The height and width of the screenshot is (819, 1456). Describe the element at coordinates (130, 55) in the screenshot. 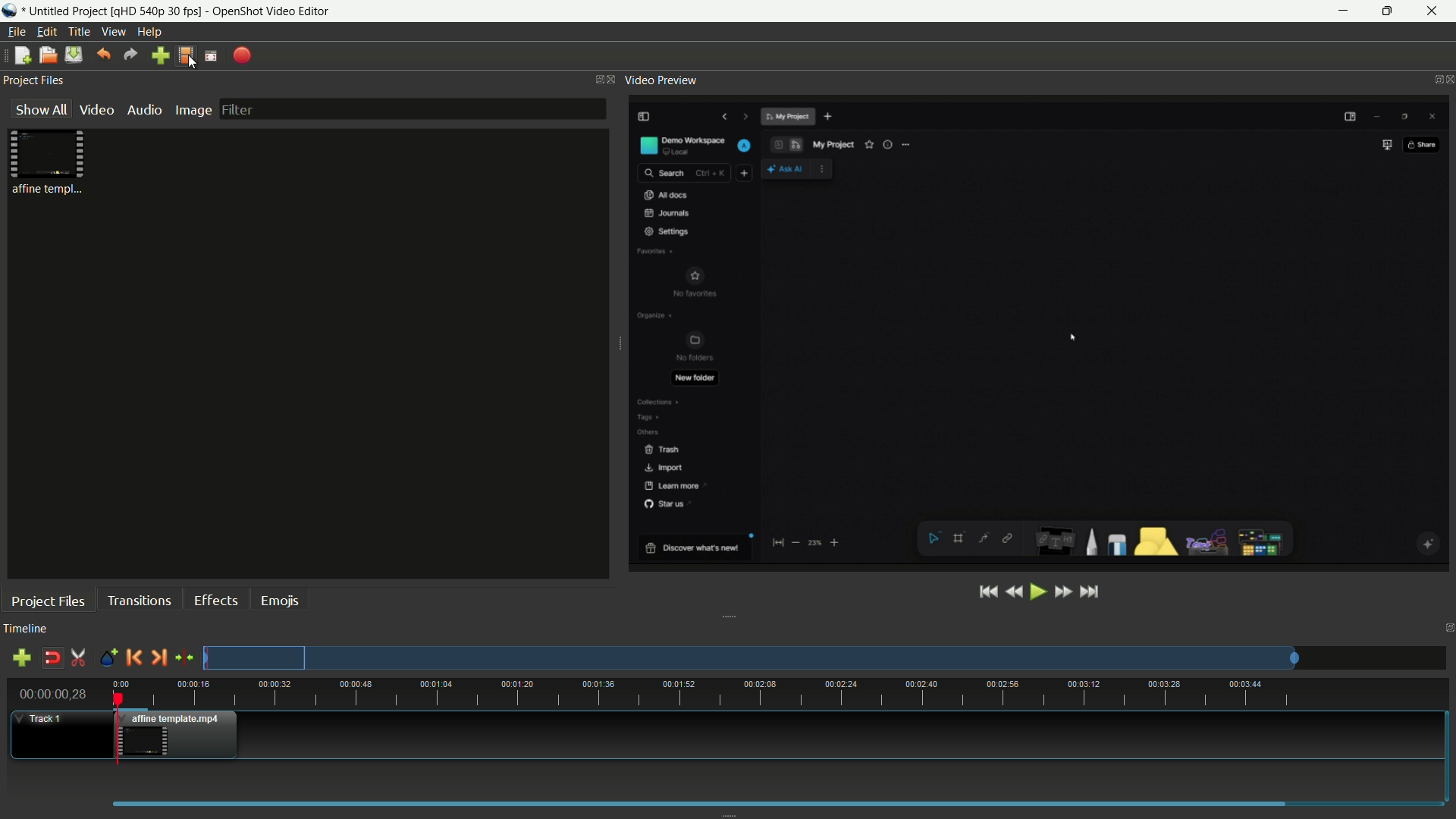

I see `redo` at that location.